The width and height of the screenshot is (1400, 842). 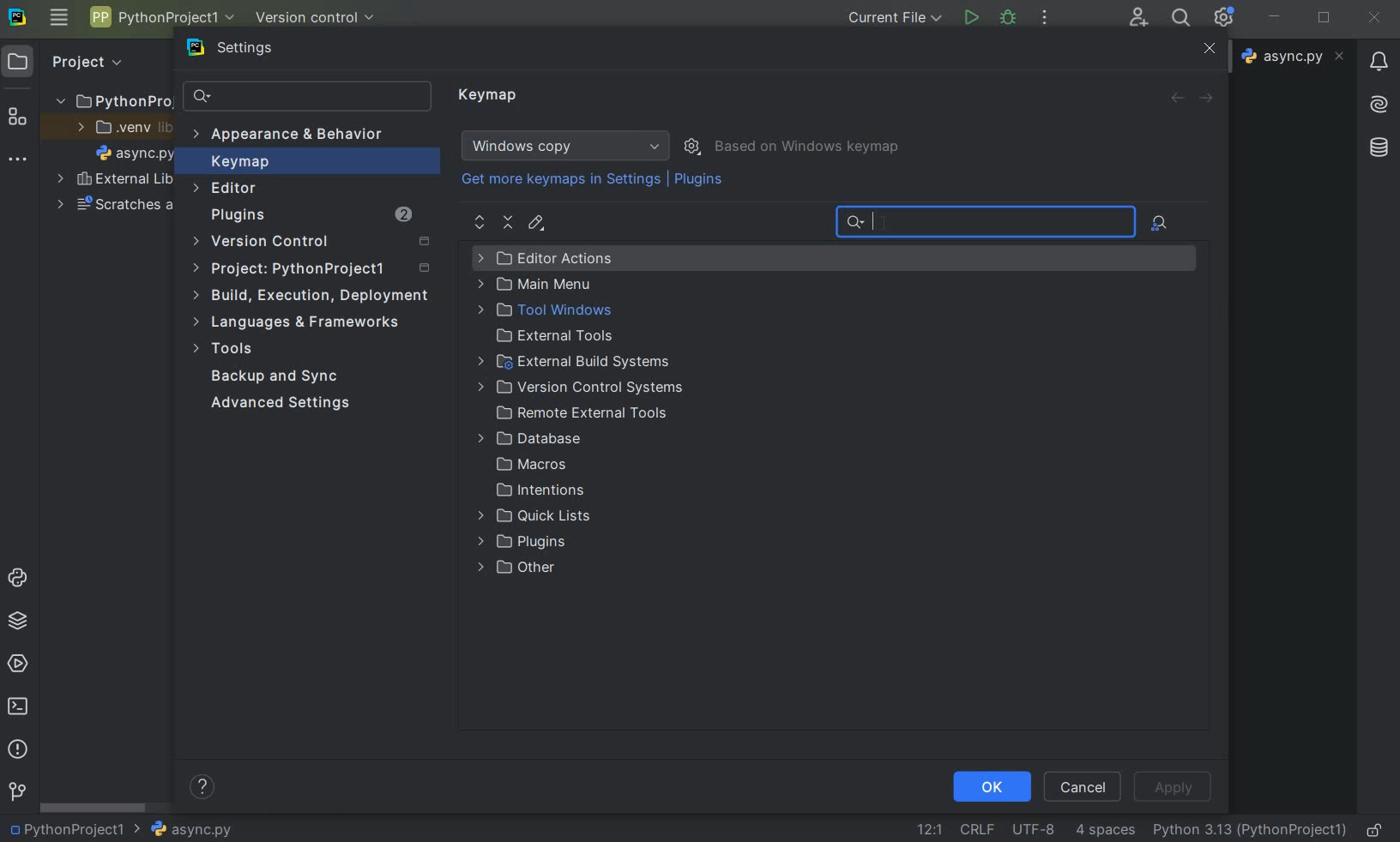 What do you see at coordinates (298, 136) in the screenshot?
I see `appearance & behavior` at bounding box center [298, 136].